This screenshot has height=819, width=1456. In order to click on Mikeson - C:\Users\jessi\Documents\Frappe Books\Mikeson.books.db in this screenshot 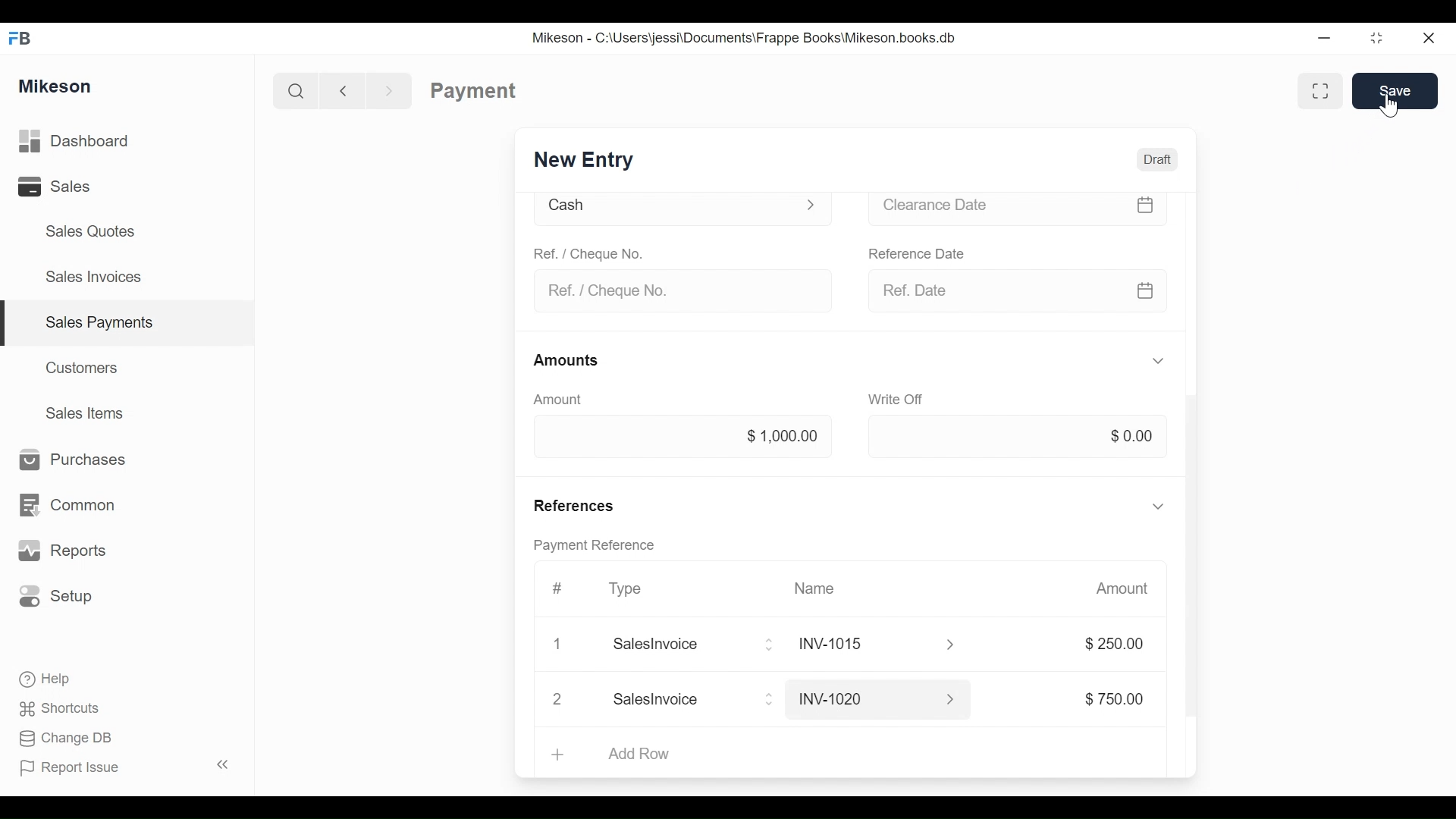, I will do `click(745, 38)`.